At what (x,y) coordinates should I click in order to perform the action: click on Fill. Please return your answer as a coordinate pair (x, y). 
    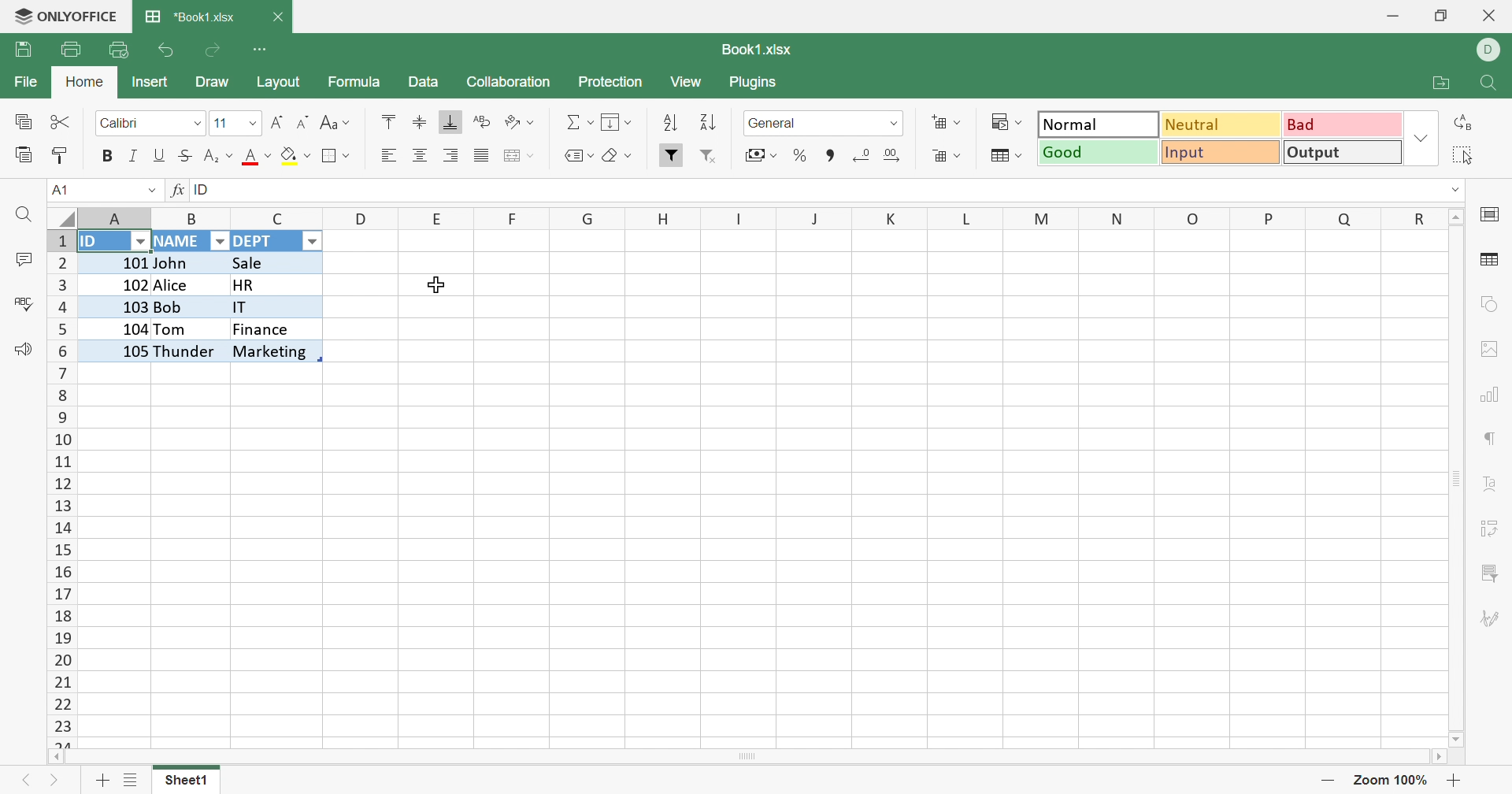
    Looking at the image, I should click on (616, 121).